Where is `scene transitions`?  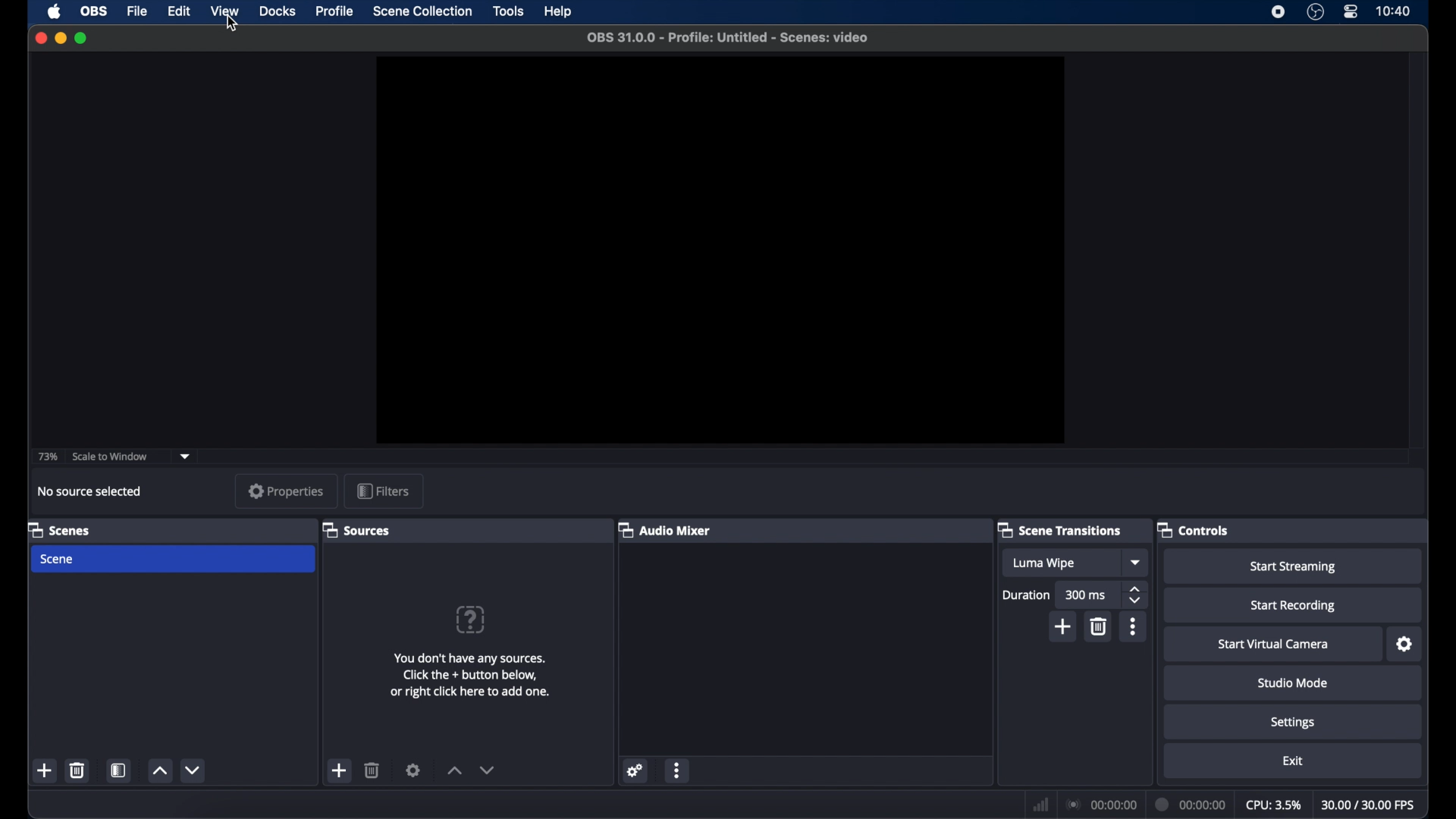 scene transitions is located at coordinates (1060, 529).